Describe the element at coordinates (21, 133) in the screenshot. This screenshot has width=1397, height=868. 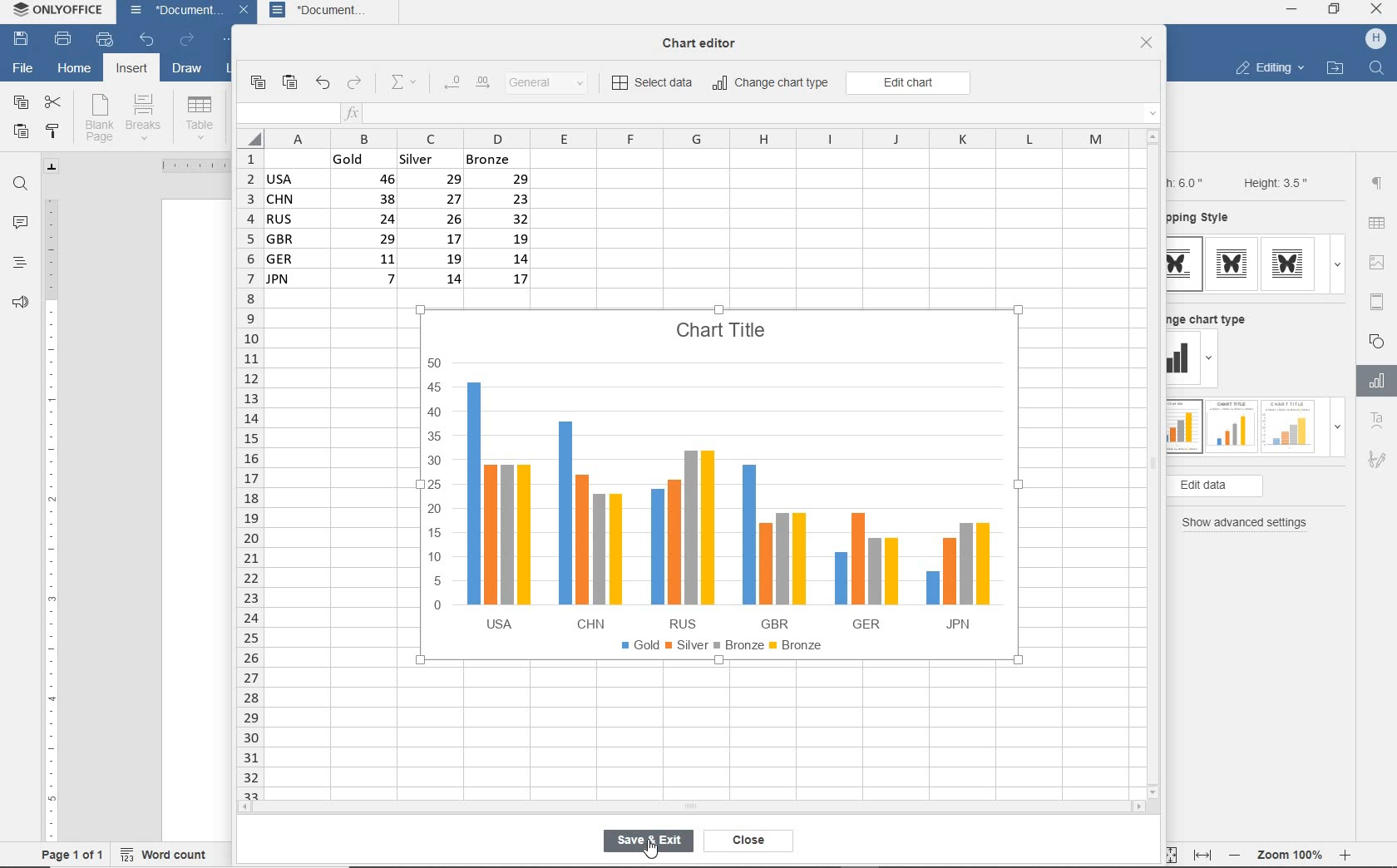
I see `paste` at that location.